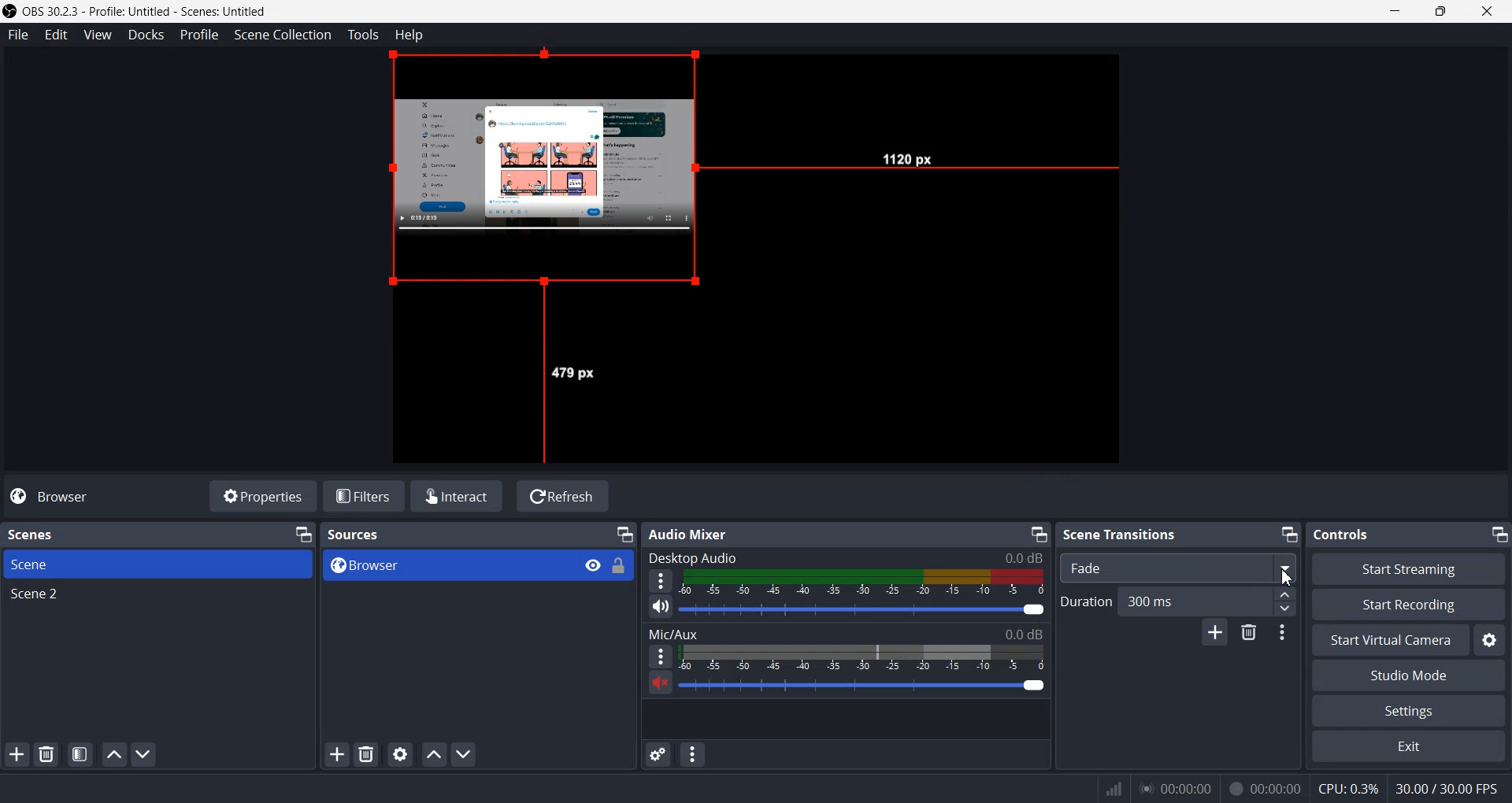 Image resolution: width=1512 pixels, height=803 pixels. What do you see at coordinates (1214, 631) in the screenshot?
I see `Add configurable transition` at bounding box center [1214, 631].